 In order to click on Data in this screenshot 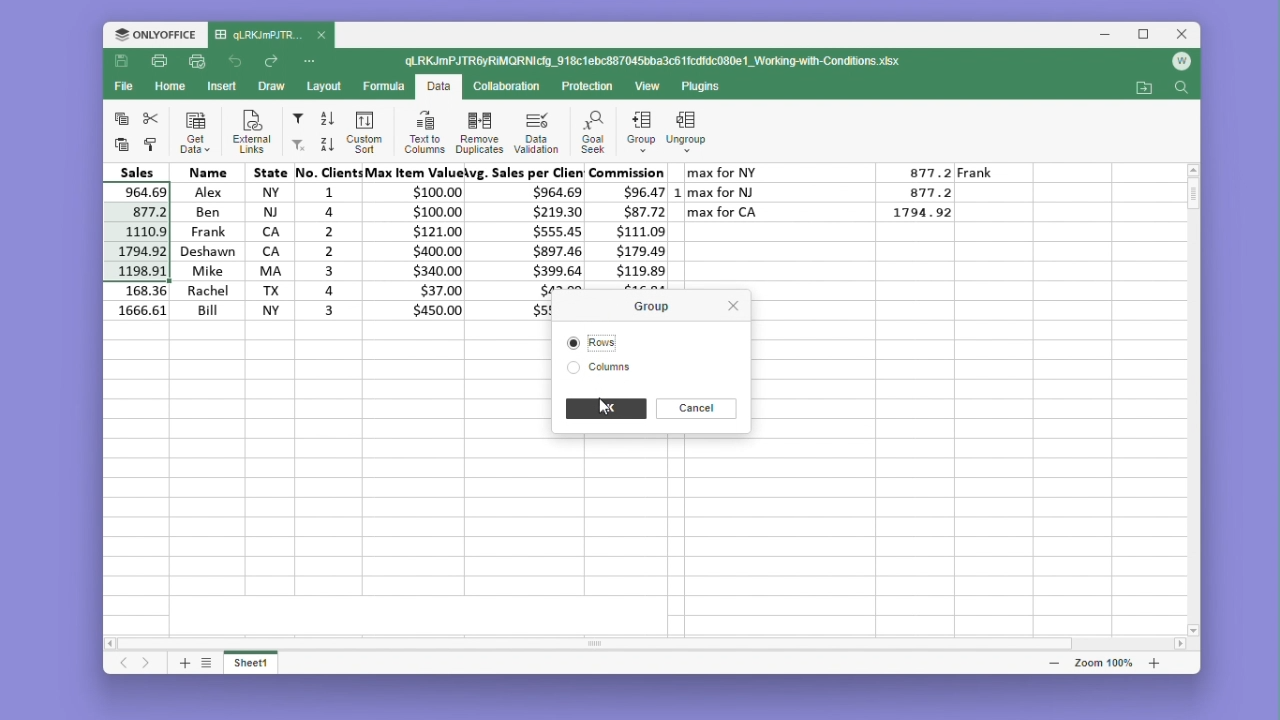, I will do `click(438, 88)`.